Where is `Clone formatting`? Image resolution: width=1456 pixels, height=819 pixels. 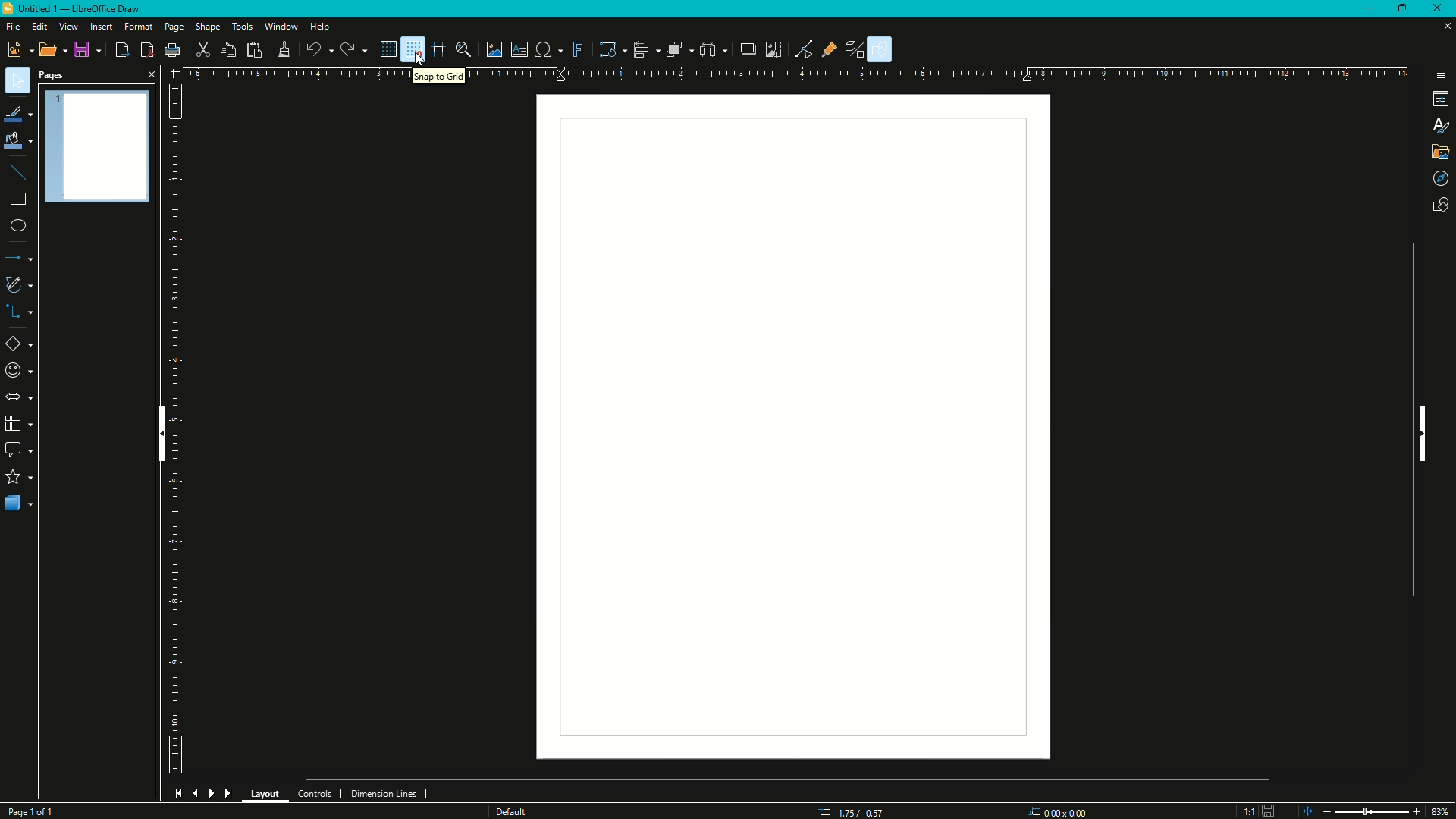 Clone formatting is located at coordinates (284, 49).